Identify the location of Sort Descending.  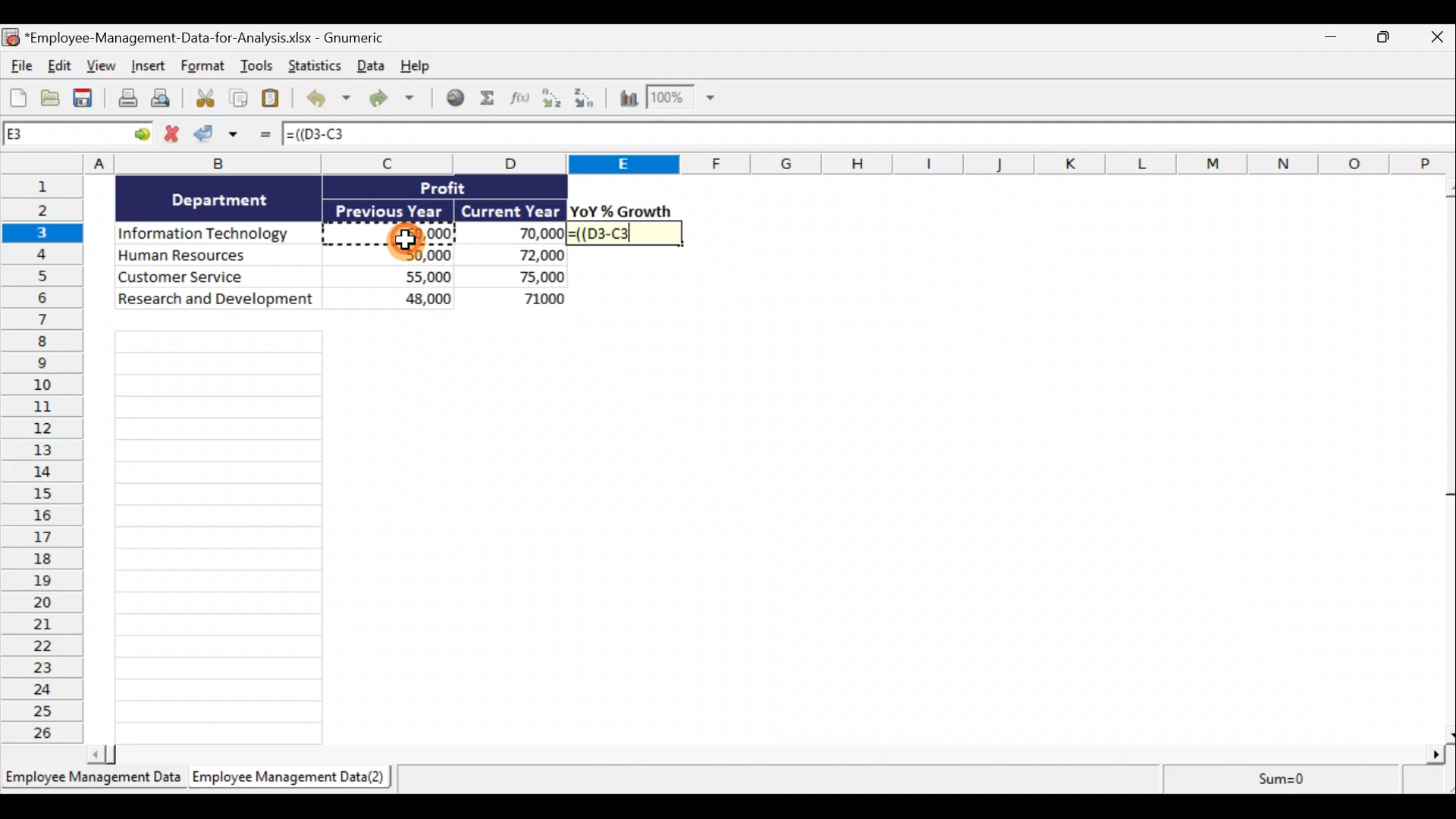
(587, 100).